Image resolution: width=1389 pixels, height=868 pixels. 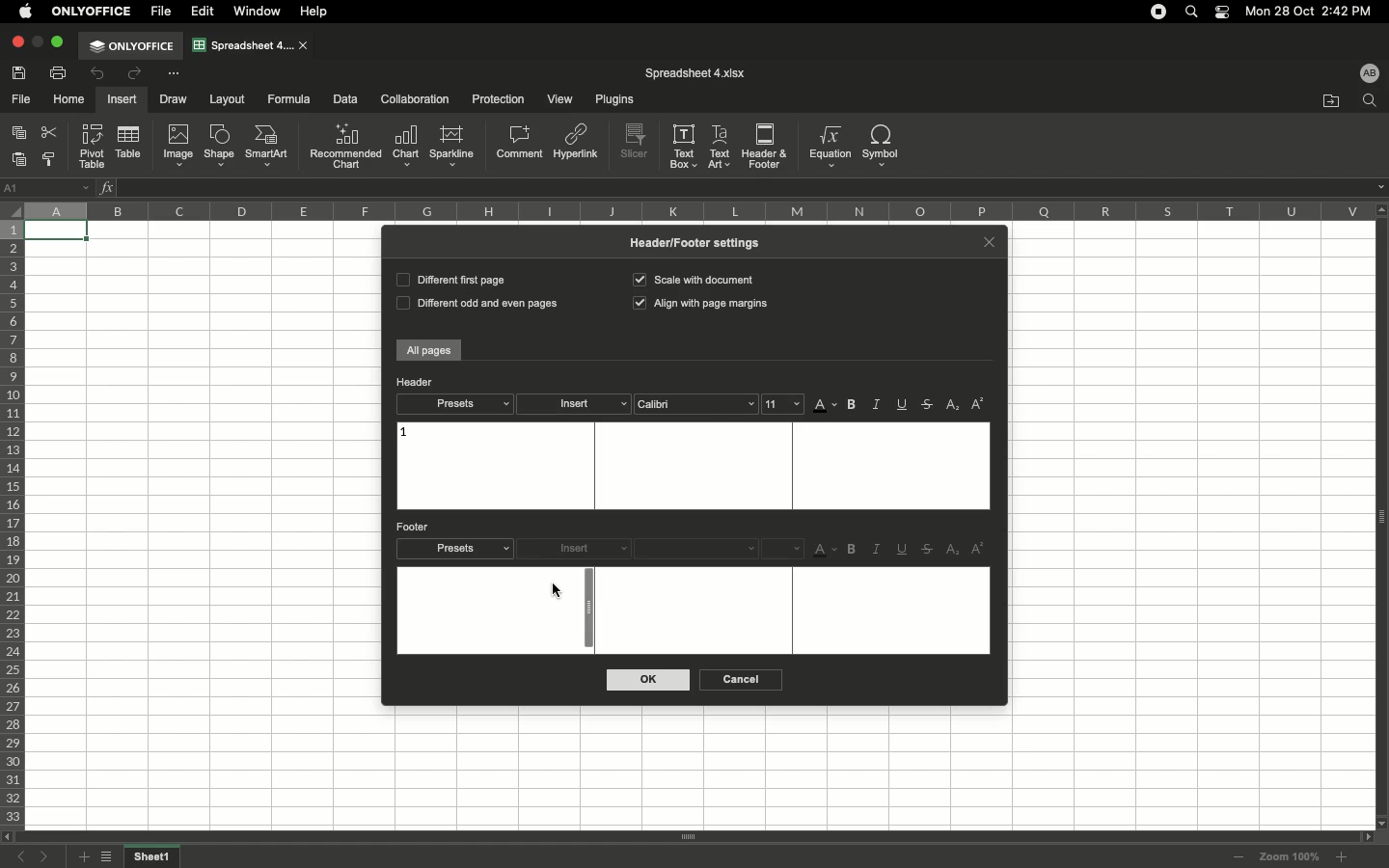 I want to click on All pages, so click(x=429, y=351).